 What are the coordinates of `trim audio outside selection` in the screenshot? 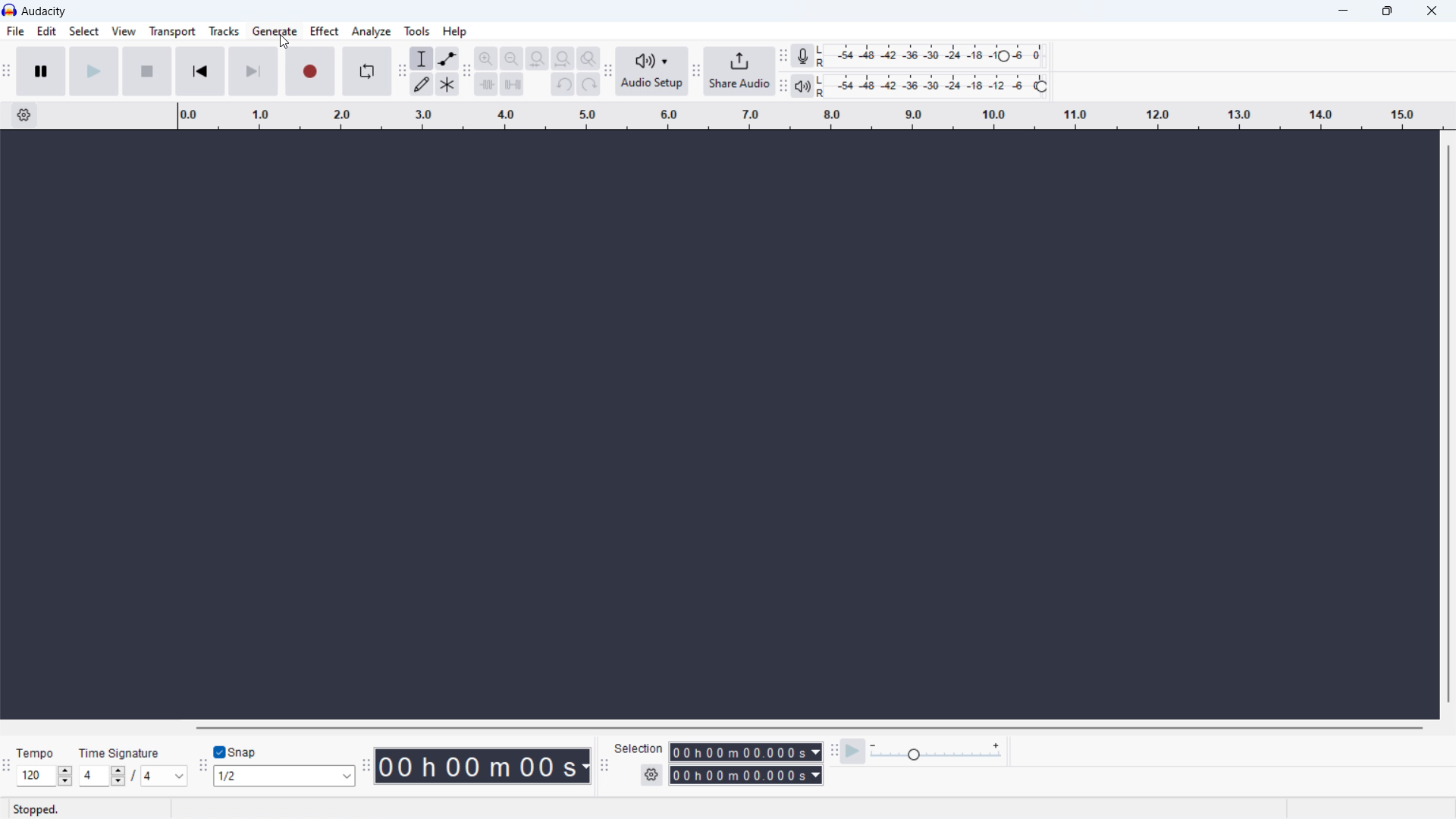 It's located at (487, 83).